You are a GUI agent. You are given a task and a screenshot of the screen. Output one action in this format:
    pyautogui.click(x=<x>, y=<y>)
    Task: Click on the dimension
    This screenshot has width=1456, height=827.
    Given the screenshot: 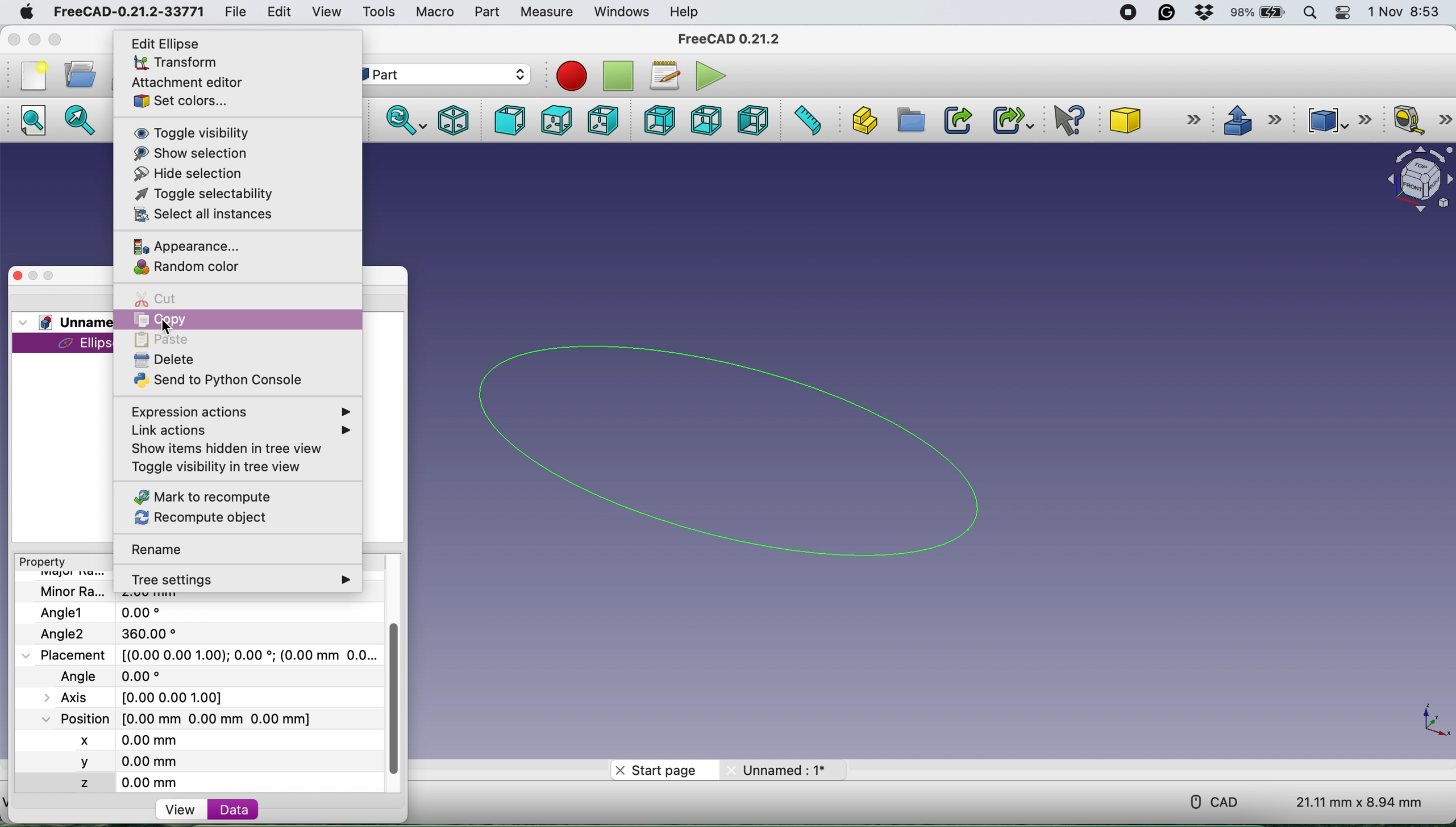 What is the action you would take?
    pyautogui.click(x=1362, y=802)
    